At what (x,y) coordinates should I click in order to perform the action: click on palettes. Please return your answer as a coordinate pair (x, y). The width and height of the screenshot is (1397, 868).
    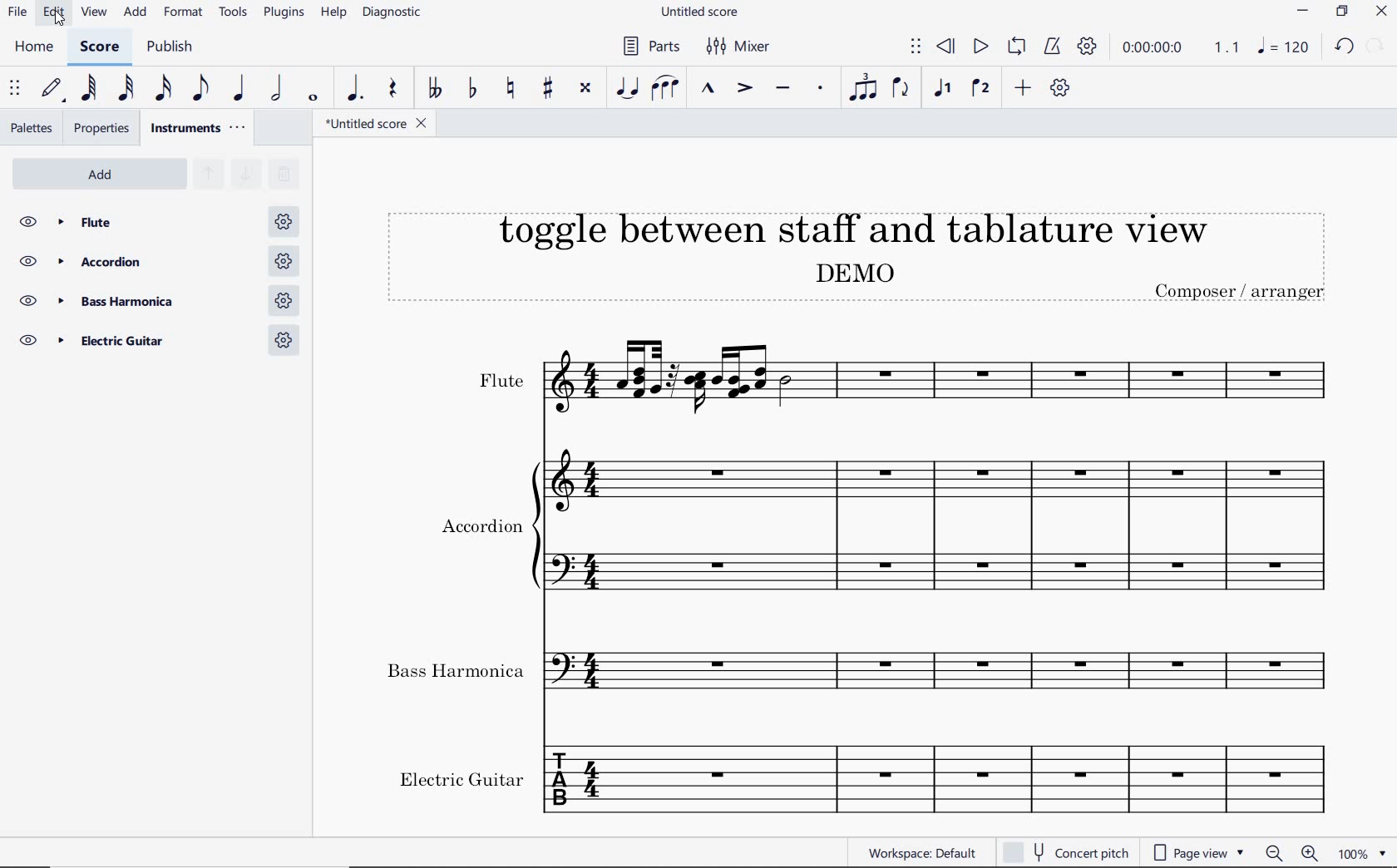
    Looking at the image, I should click on (33, 126).